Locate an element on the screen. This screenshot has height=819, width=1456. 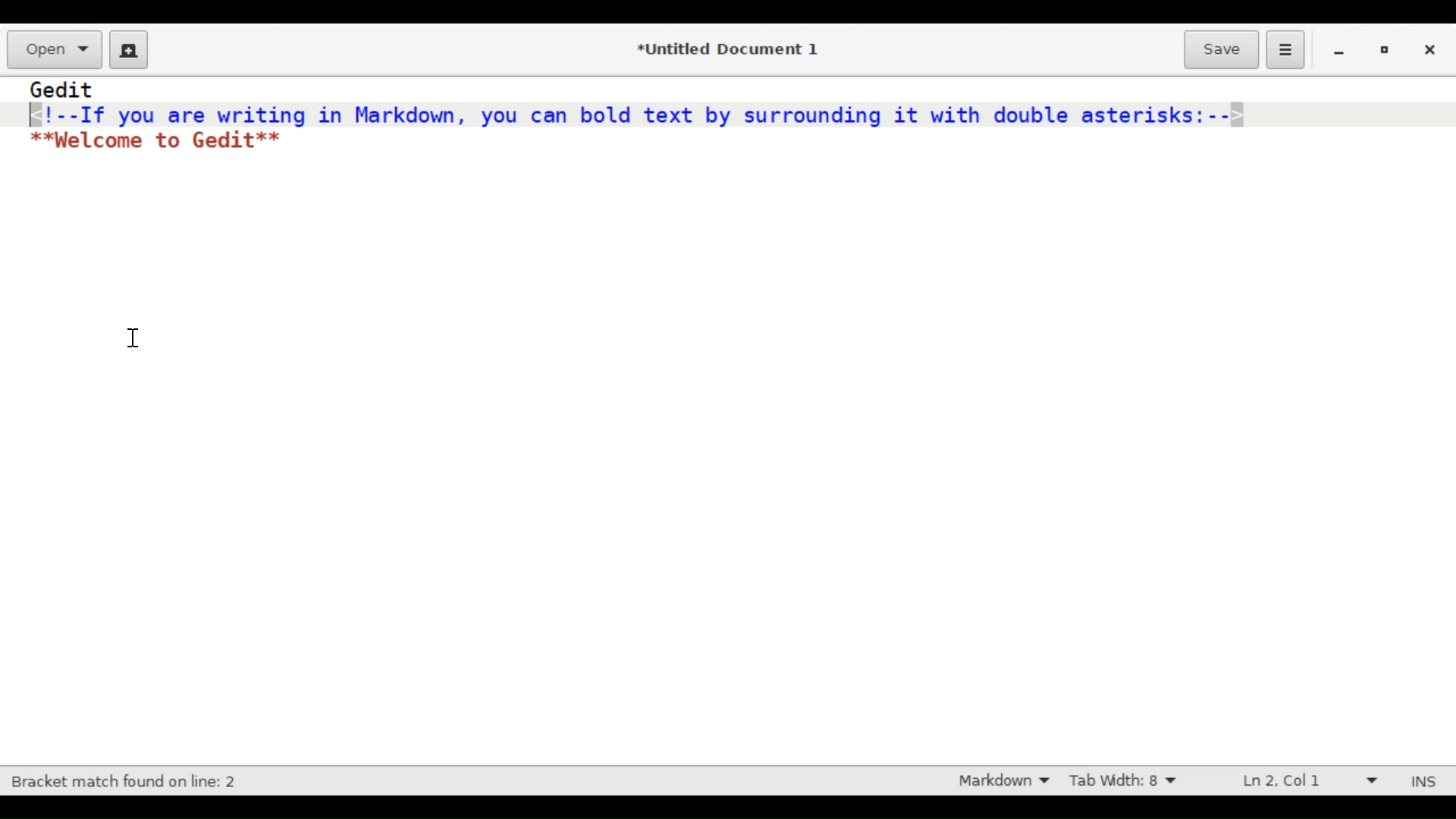
INS is located at coordinates (1426, 781).